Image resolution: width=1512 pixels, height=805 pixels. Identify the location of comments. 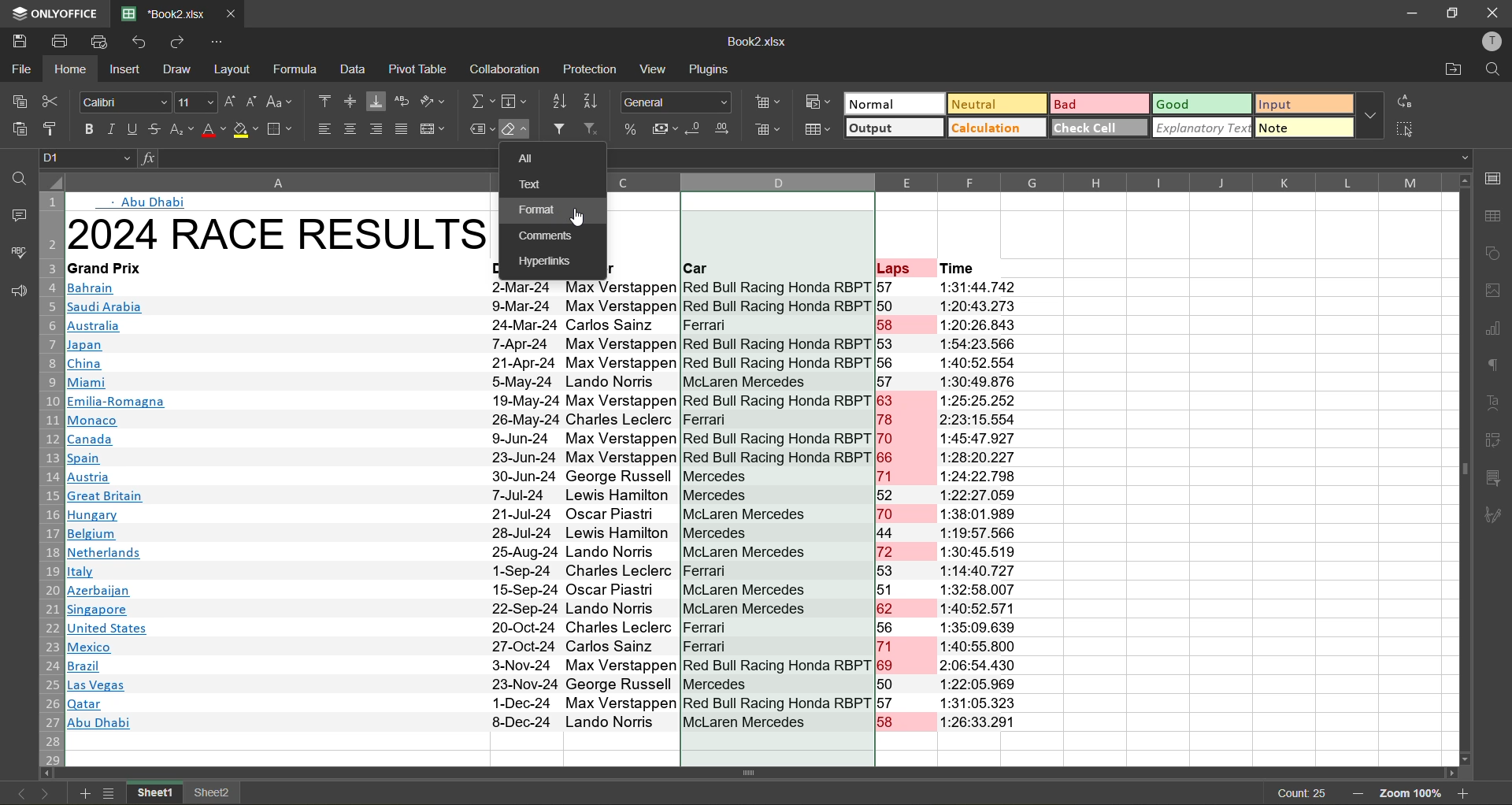
(16, 218).